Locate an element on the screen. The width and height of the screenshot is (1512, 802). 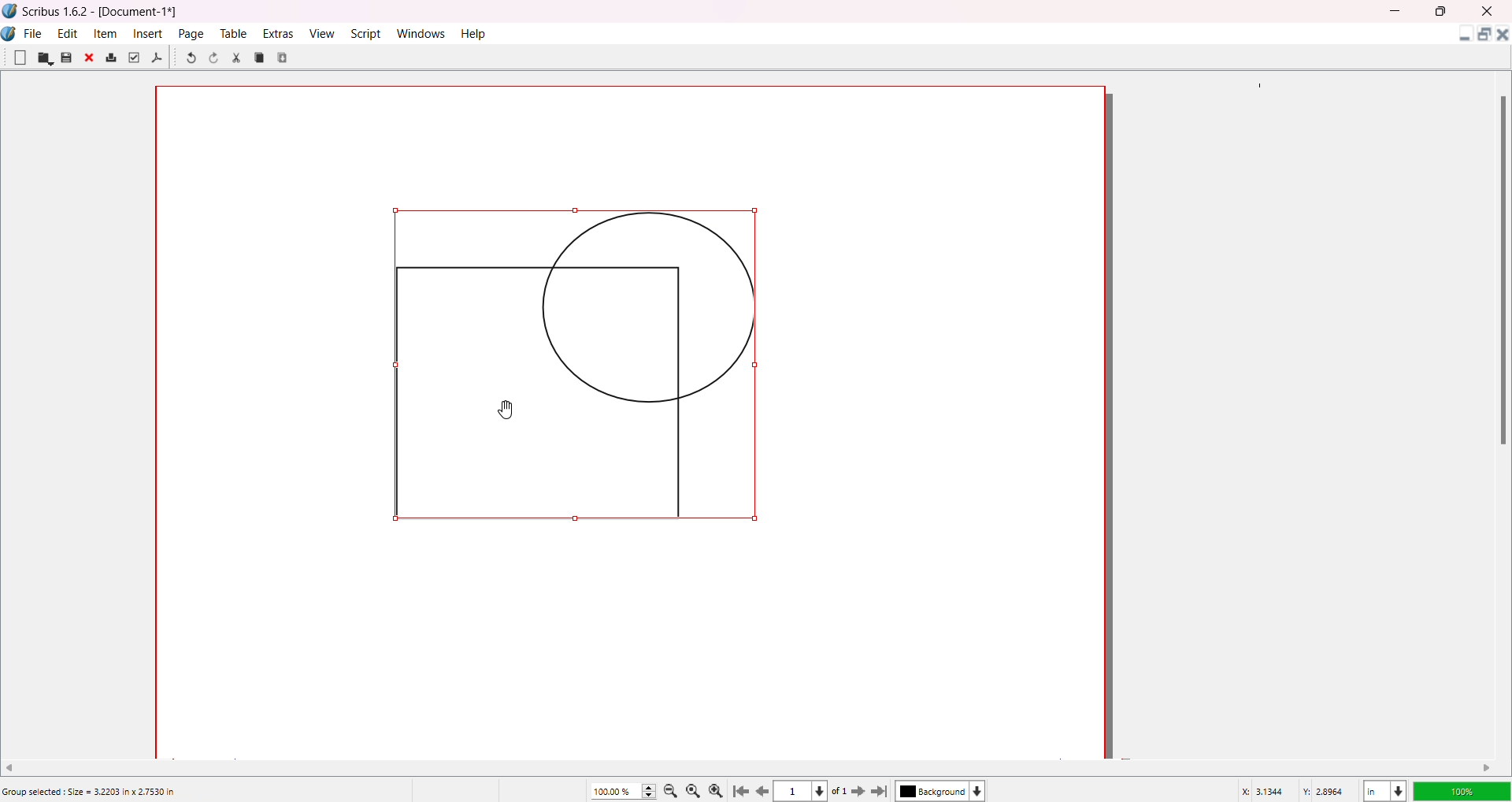
Table is located at coordinates (232, 33).